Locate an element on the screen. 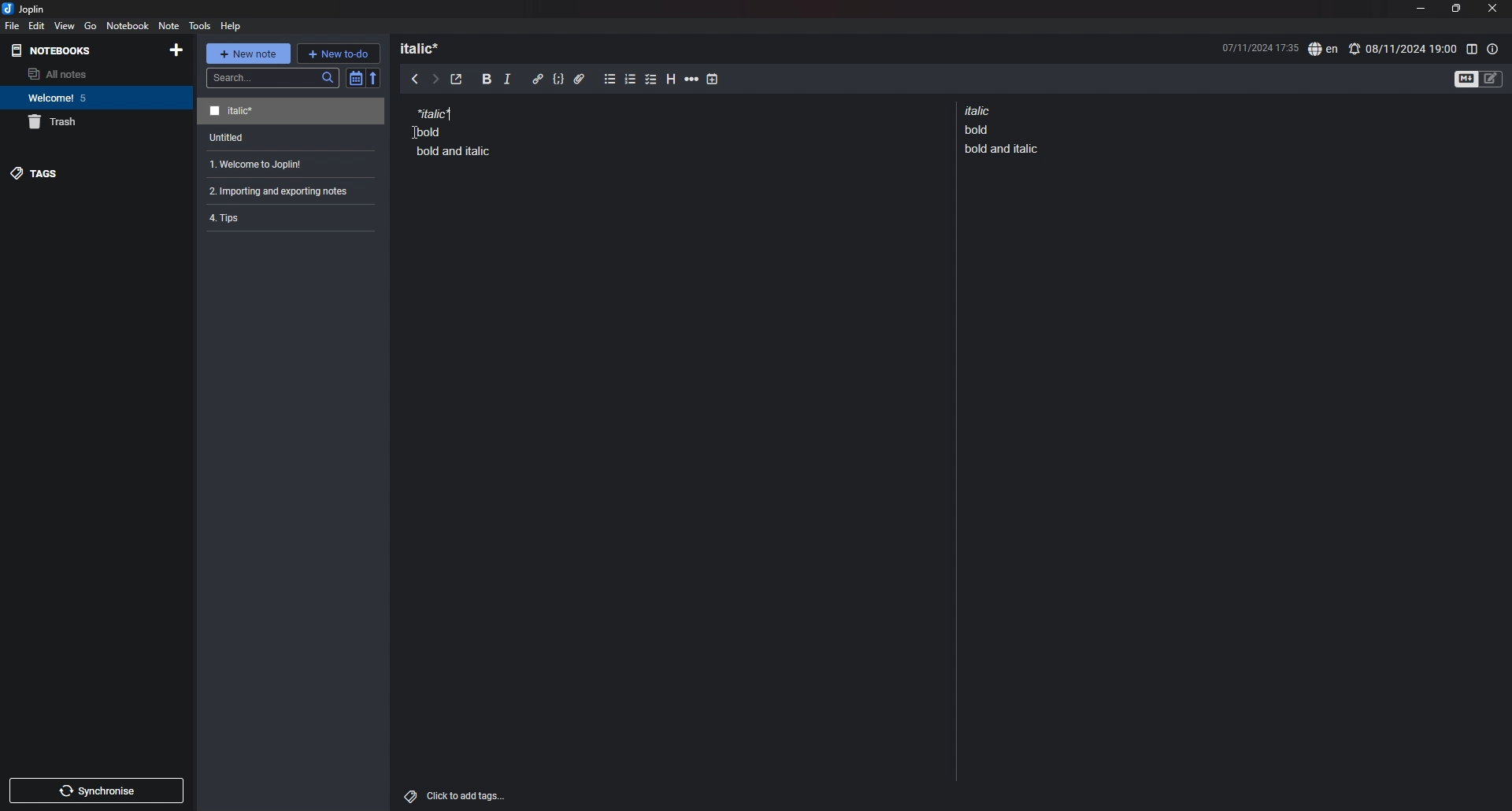  attachment is located at coordinates (580, 80).